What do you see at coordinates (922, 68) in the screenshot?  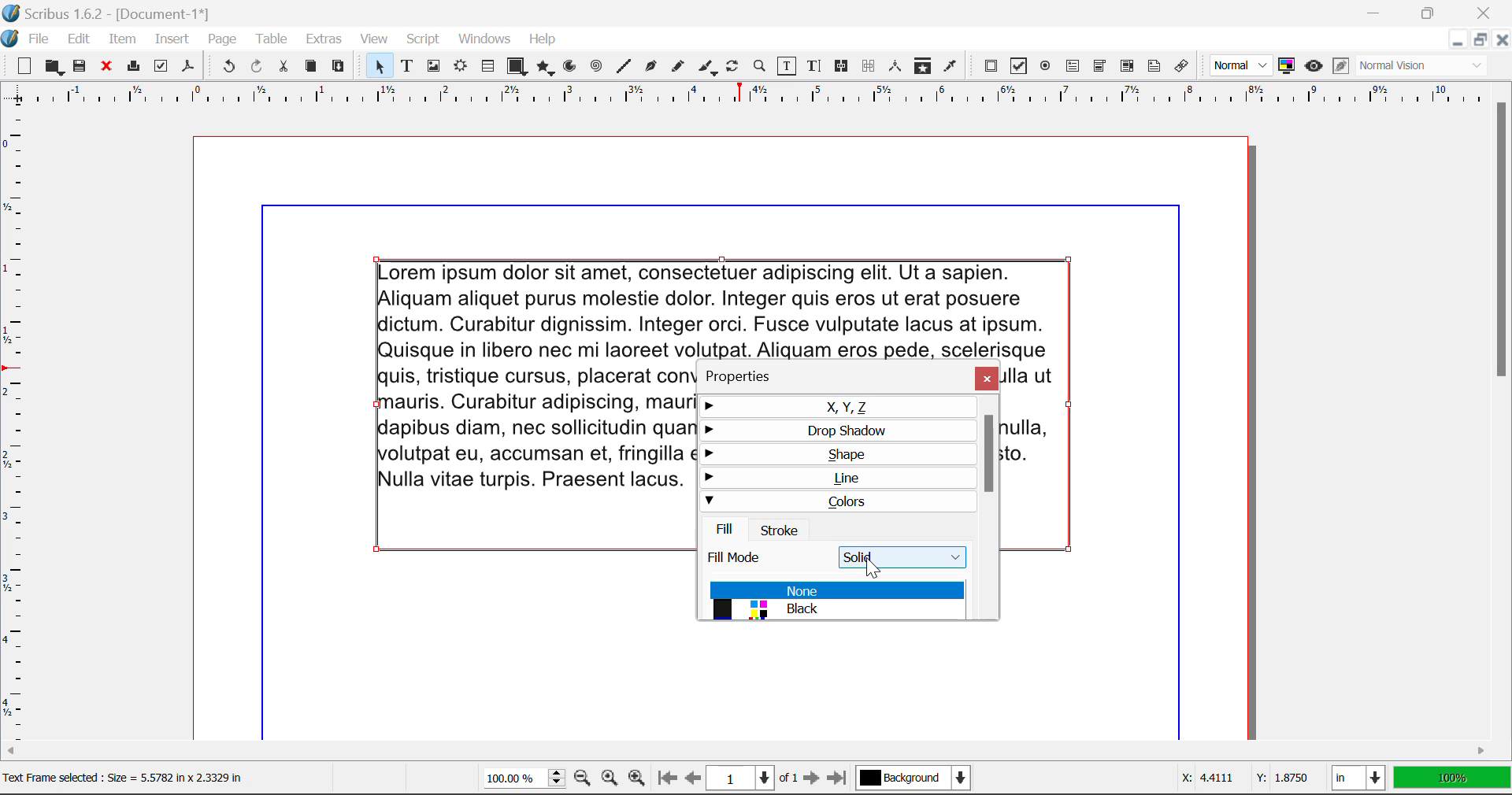 I see `Copy Item Properties` at bounding box center [922, 68].